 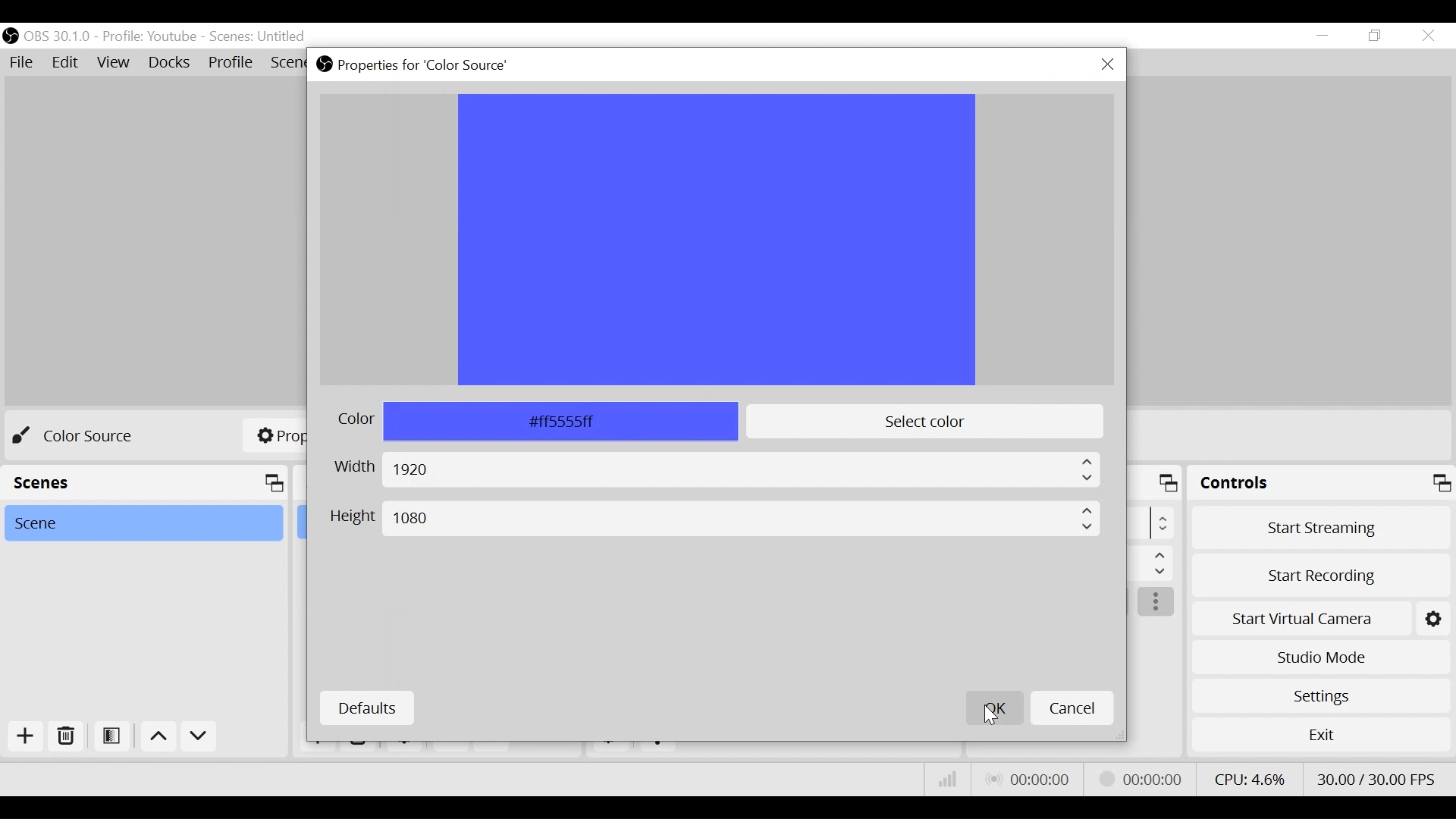 What do you see at coordinates (149, 36) in the screenshot?
I see `Profile` at bounding box center [149, 36].